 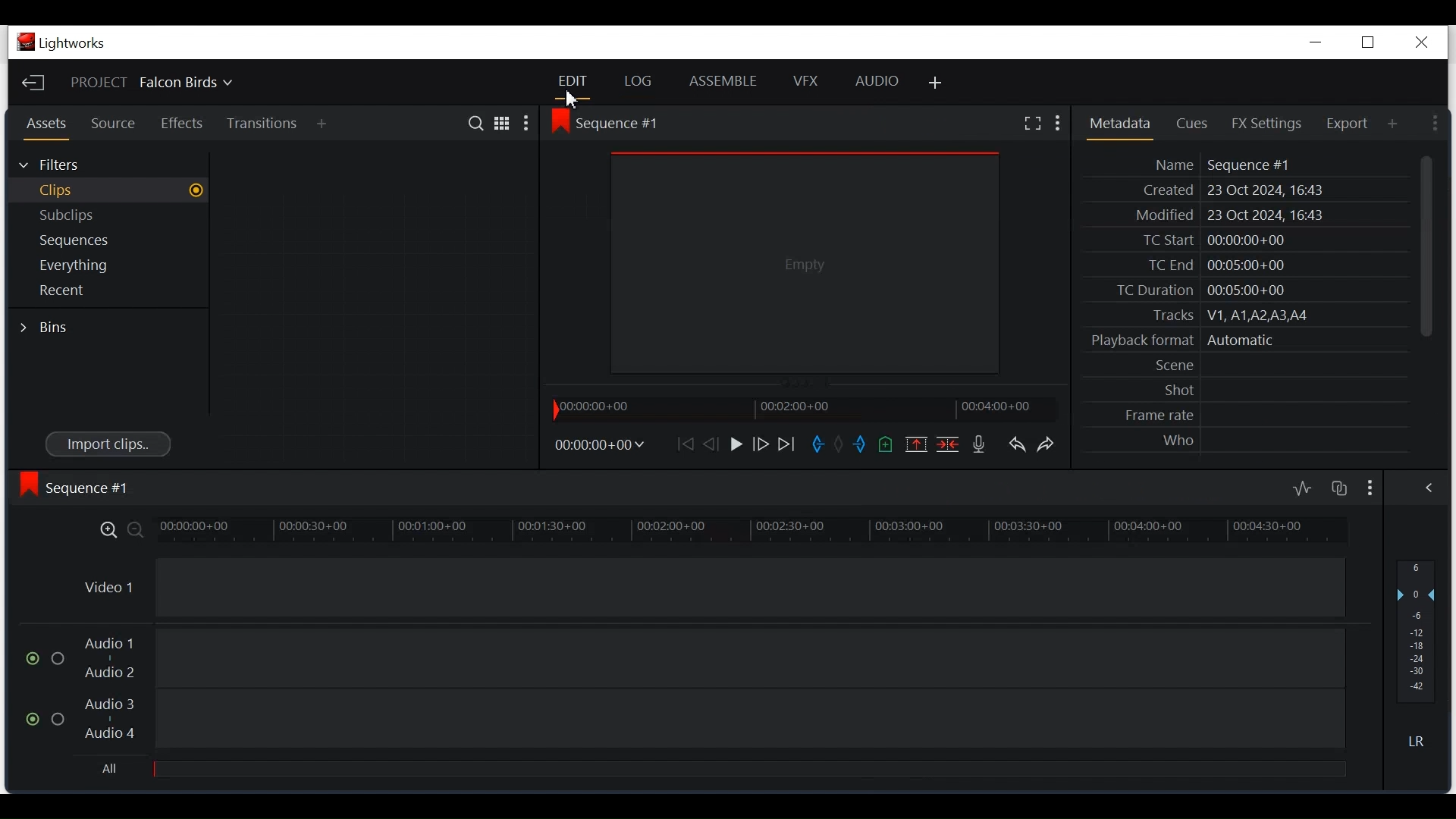 What do you see at coordinates (1214, 263) in the screenshot?
I see `TC End 00:05:00+00` at bounding box center [1214, 263].